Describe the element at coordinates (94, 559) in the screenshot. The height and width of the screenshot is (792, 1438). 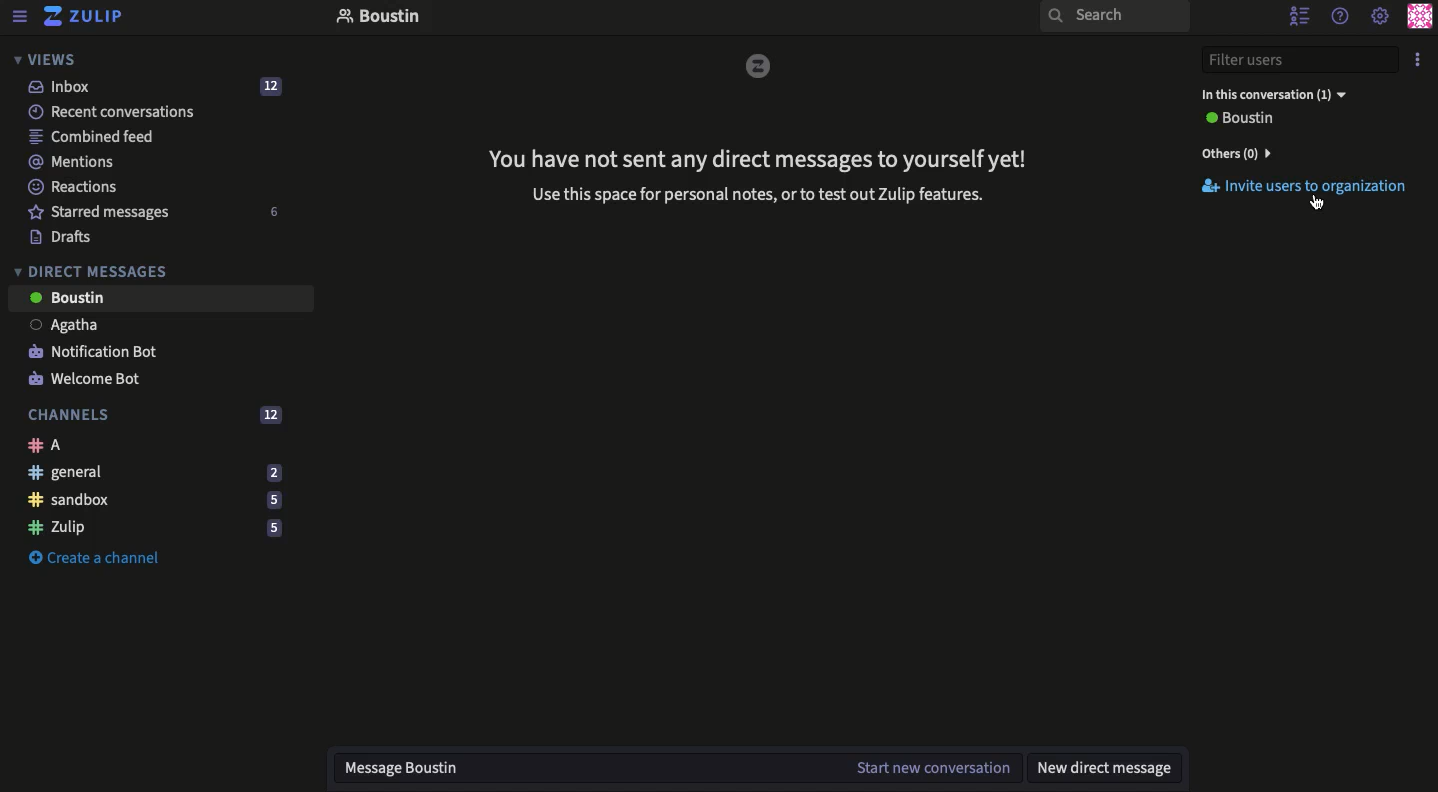
I see `Create a channel` at that location.